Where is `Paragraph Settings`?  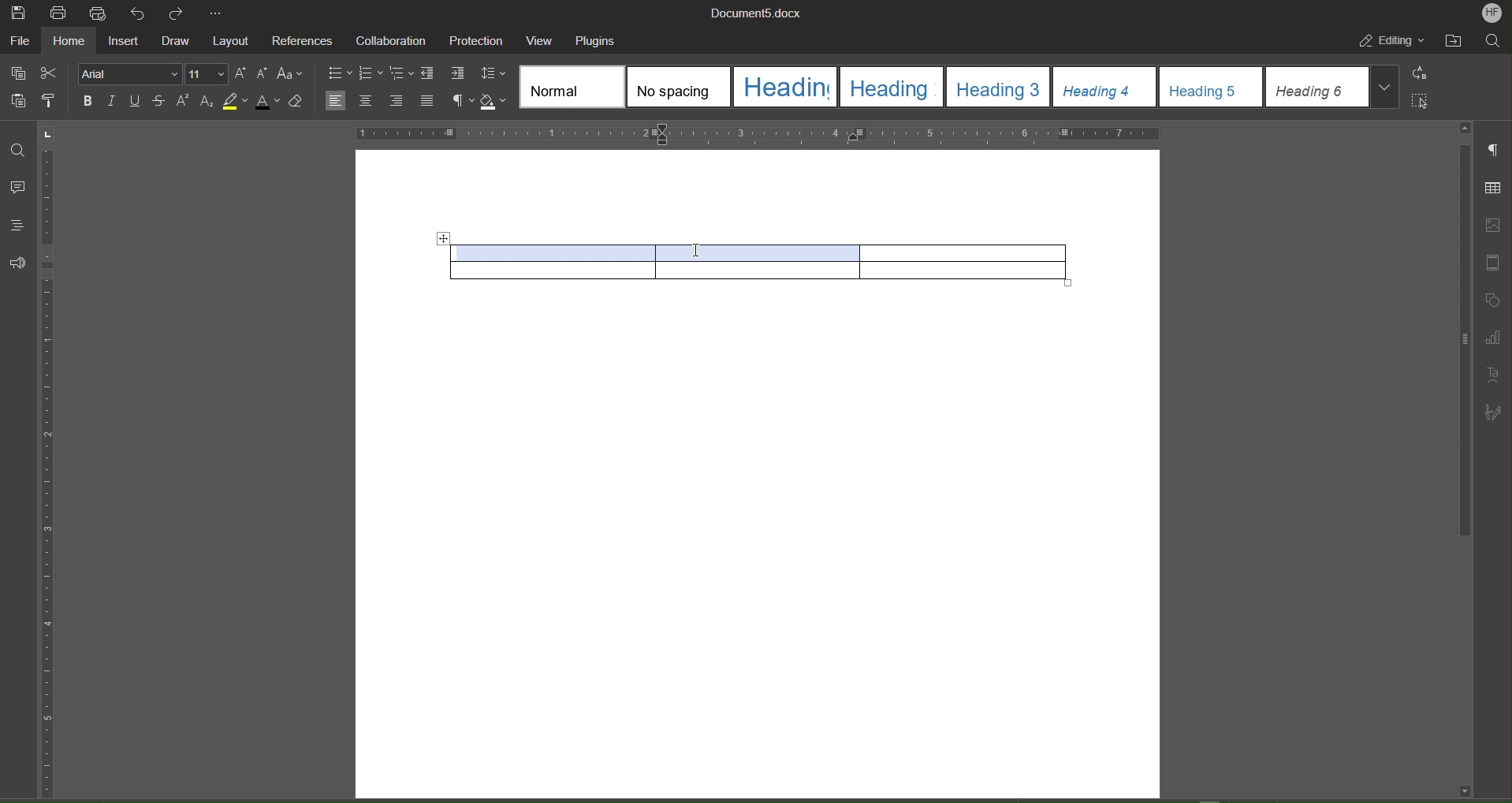
Paragraph Settings is located at coordinates (1495, 152).